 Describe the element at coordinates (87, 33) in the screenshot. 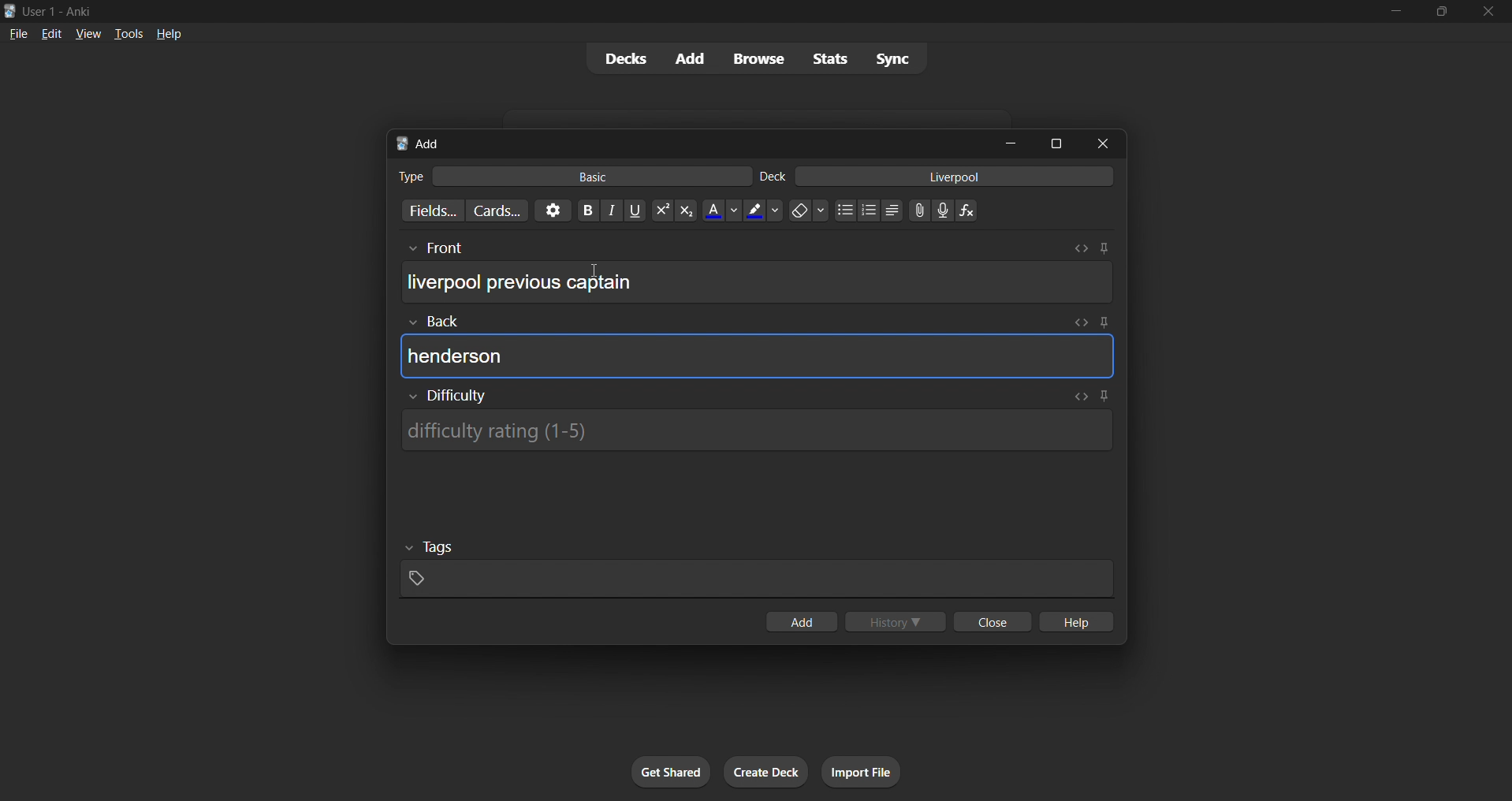

I see `view` at that location.